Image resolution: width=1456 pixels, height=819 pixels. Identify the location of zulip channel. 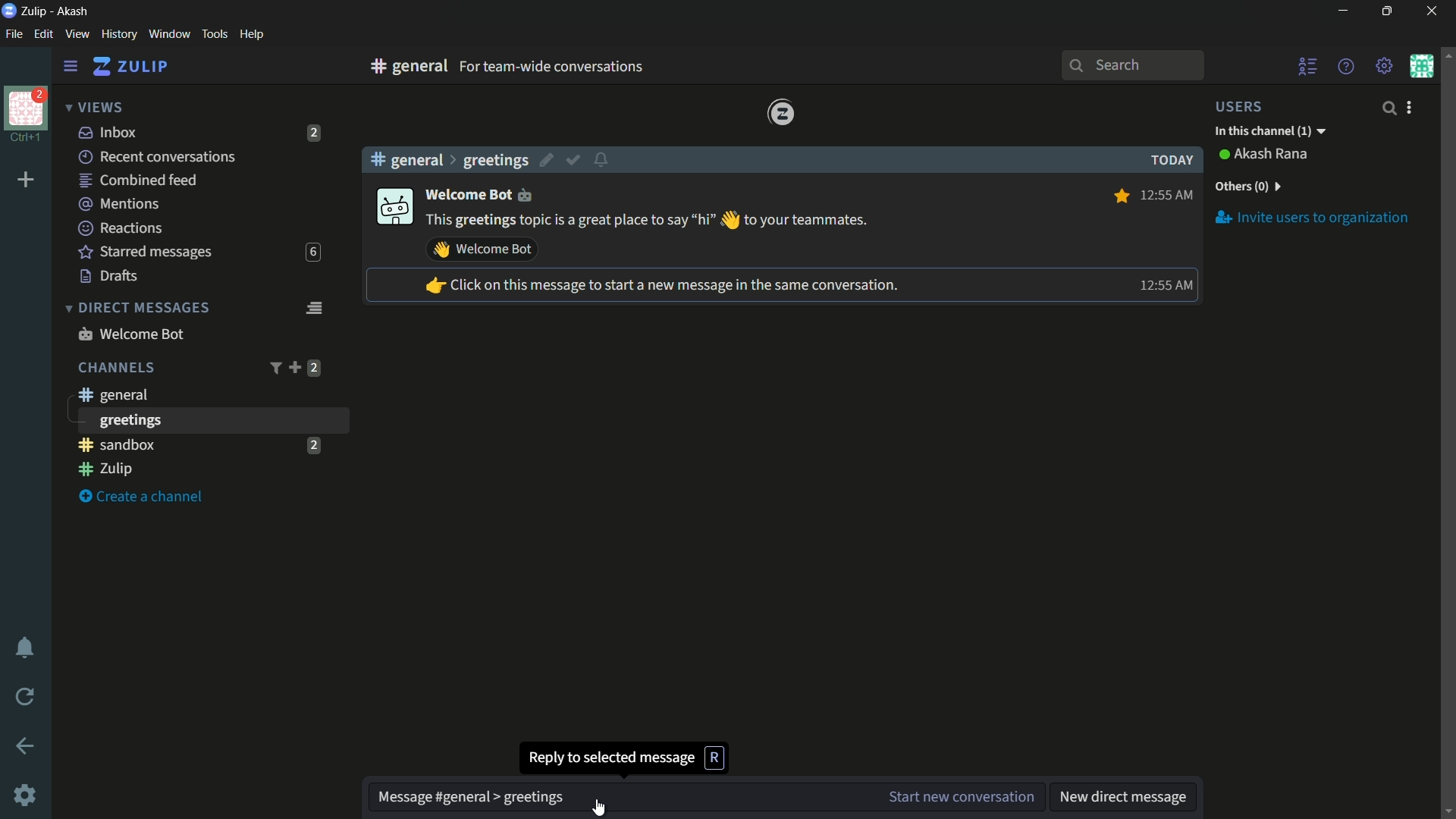
(205, 470).